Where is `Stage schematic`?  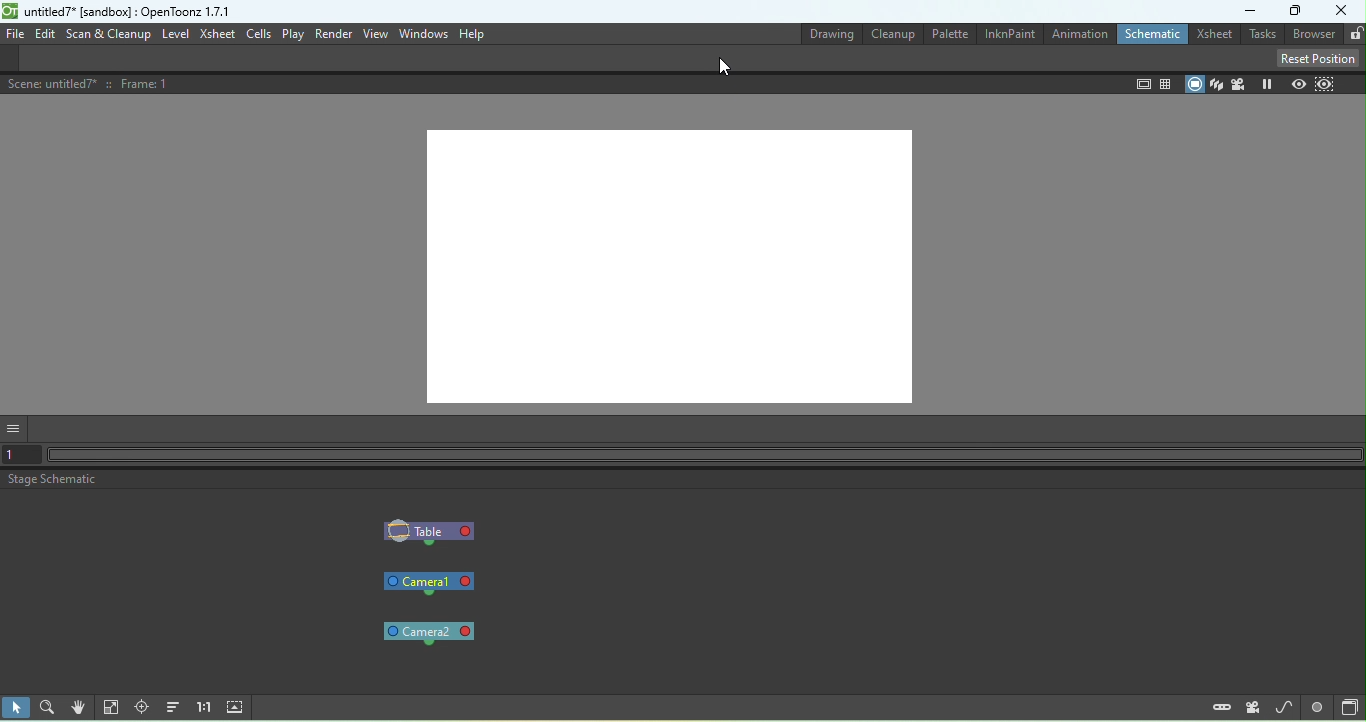 Stage schematic is located at coordinates (53, 480).